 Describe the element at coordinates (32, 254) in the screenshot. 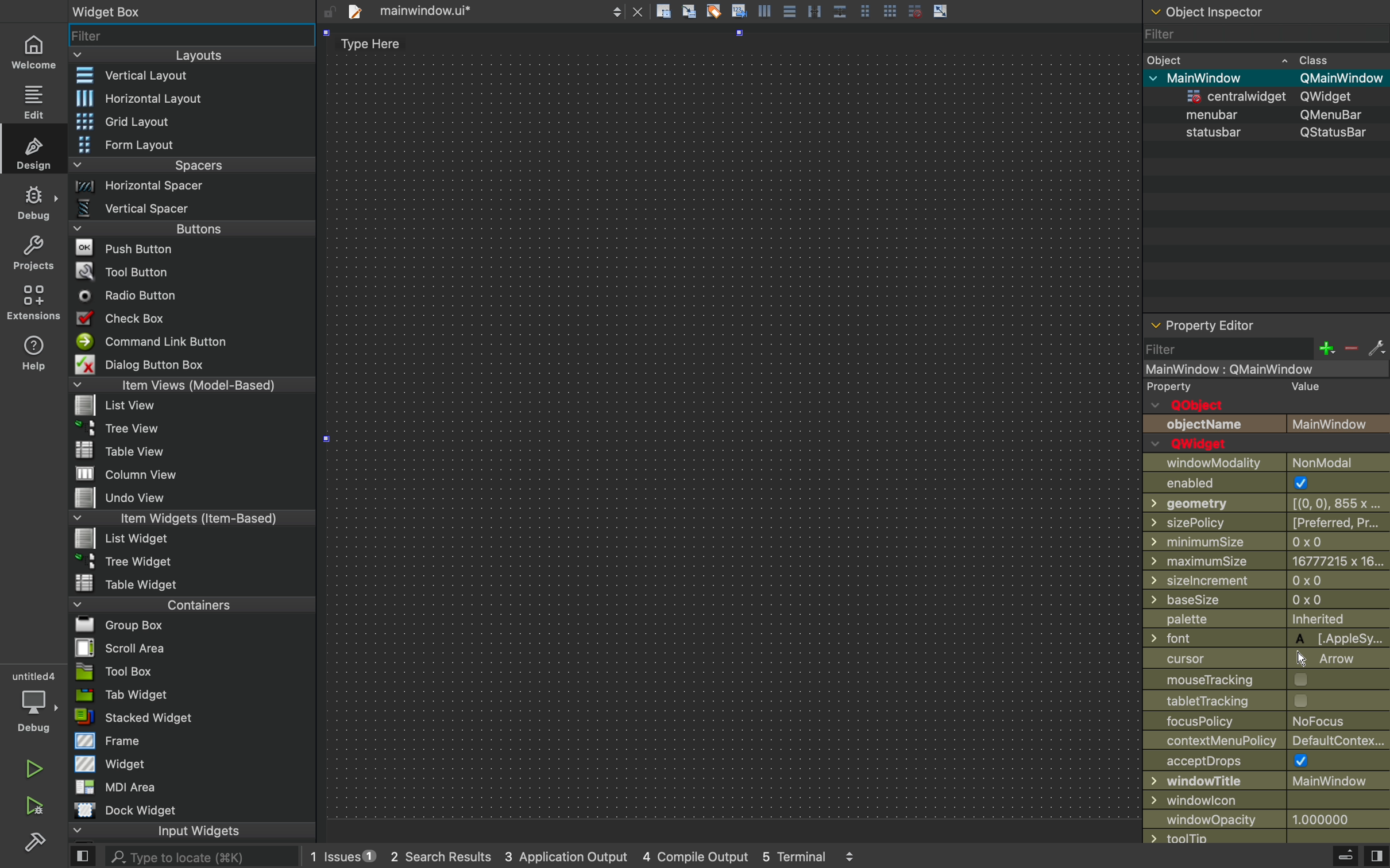

I see `projects` at that location.